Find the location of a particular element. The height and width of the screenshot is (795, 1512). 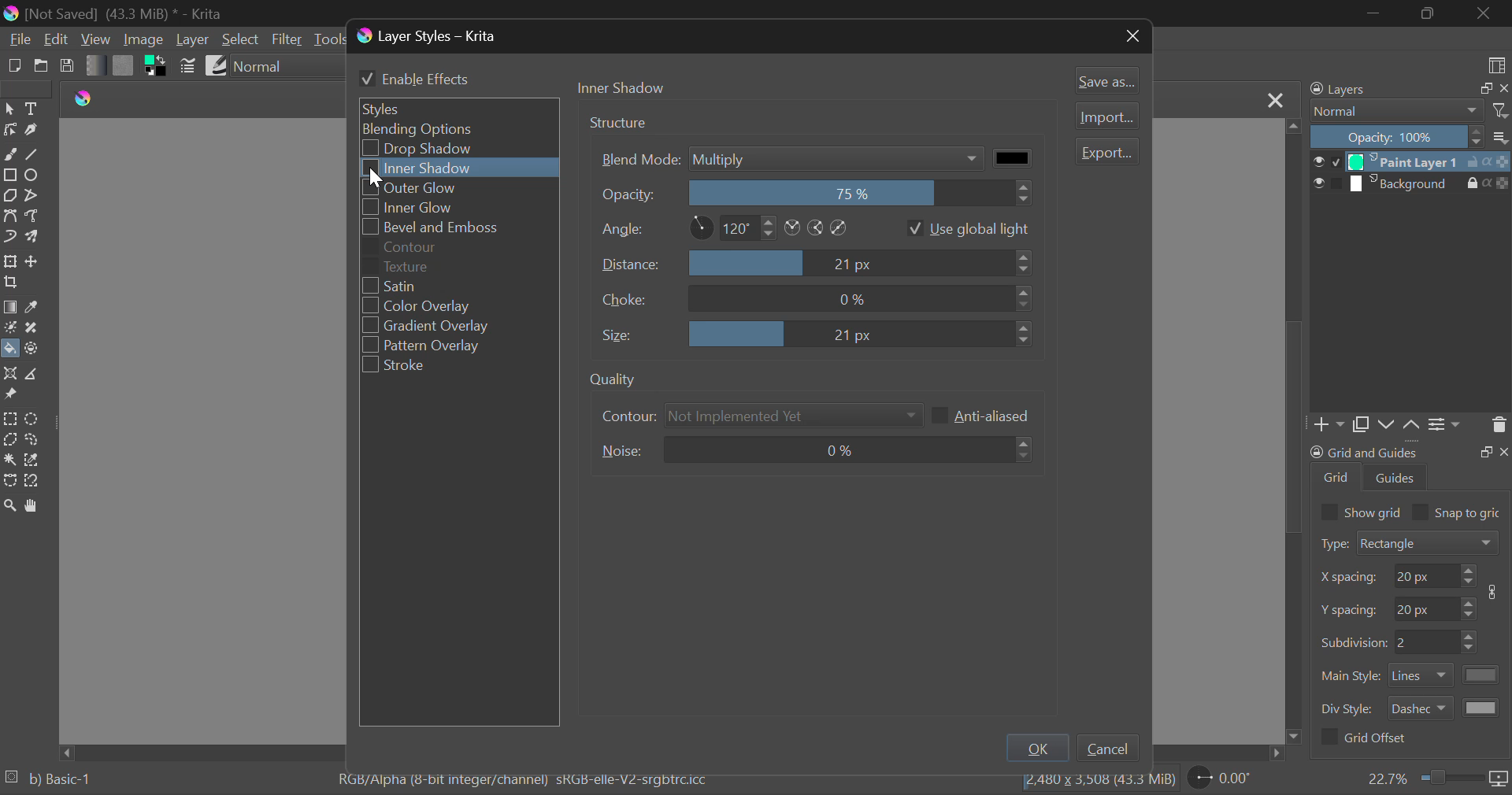

Calligraphic Tool is located at coordinates (32, 130).